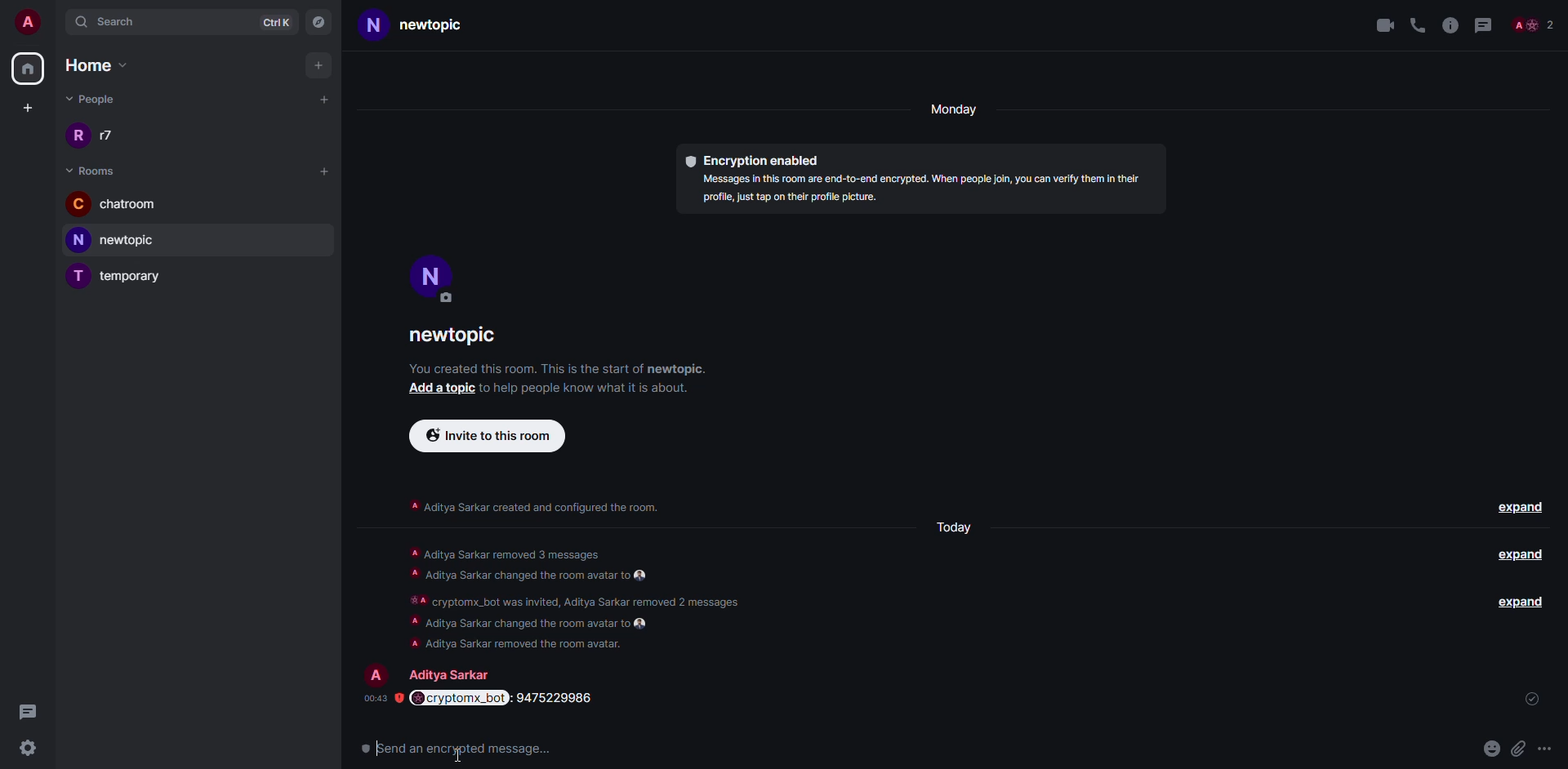 Image resolution: width=1568 pixels, height=769 pixels. What do you see at coordinates (434, 26) in the screenshot?
I see `newtopic` at bounding box center [434, 26].